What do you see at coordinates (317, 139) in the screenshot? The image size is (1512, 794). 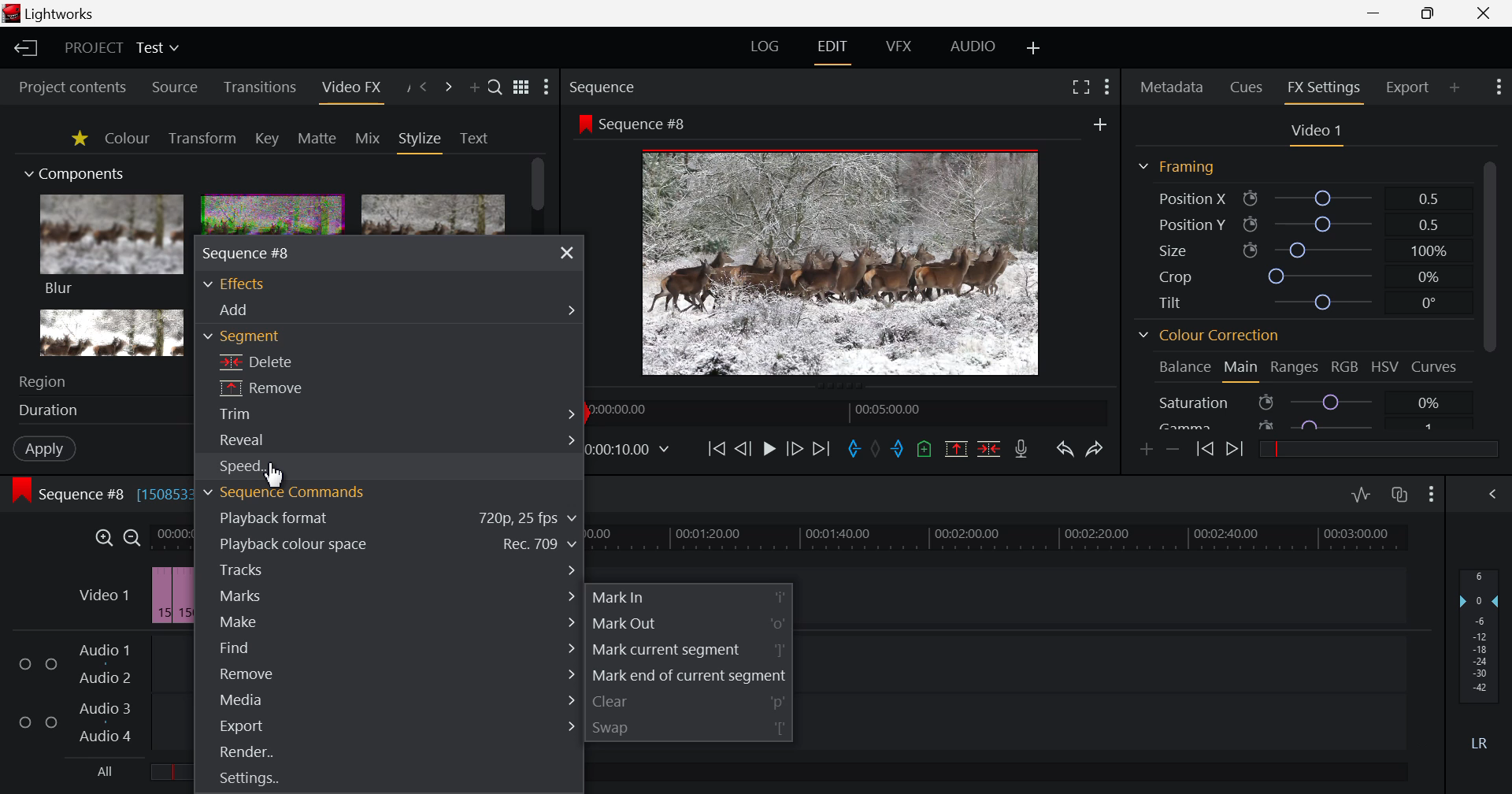 I see `Matte` at bounding box center [317, 139].